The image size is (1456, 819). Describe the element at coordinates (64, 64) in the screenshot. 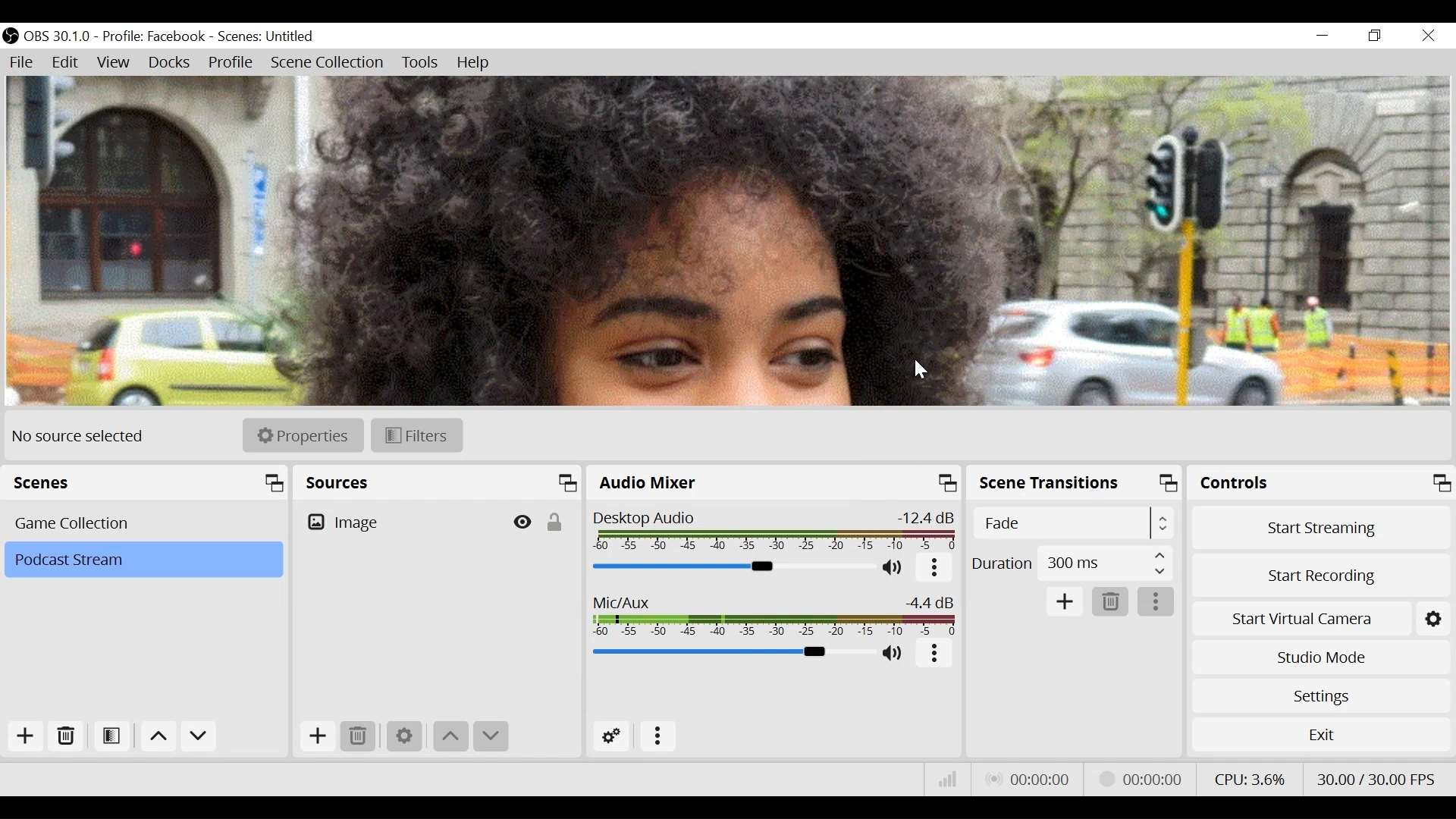

I see `Edit` at that location.